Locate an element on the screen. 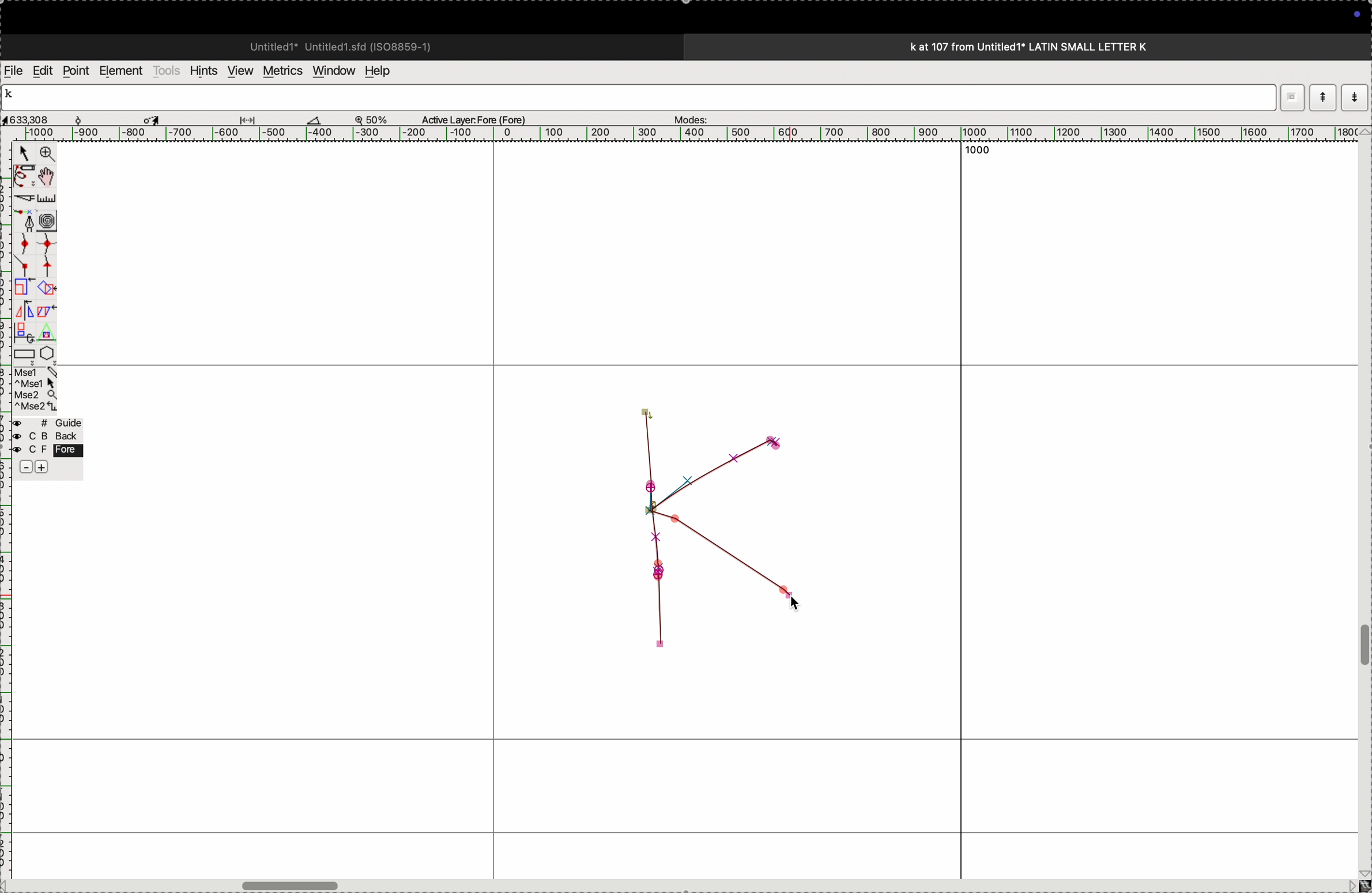 This screenshot has height=893, width=1372. tools is located at coordinates (167, 70).